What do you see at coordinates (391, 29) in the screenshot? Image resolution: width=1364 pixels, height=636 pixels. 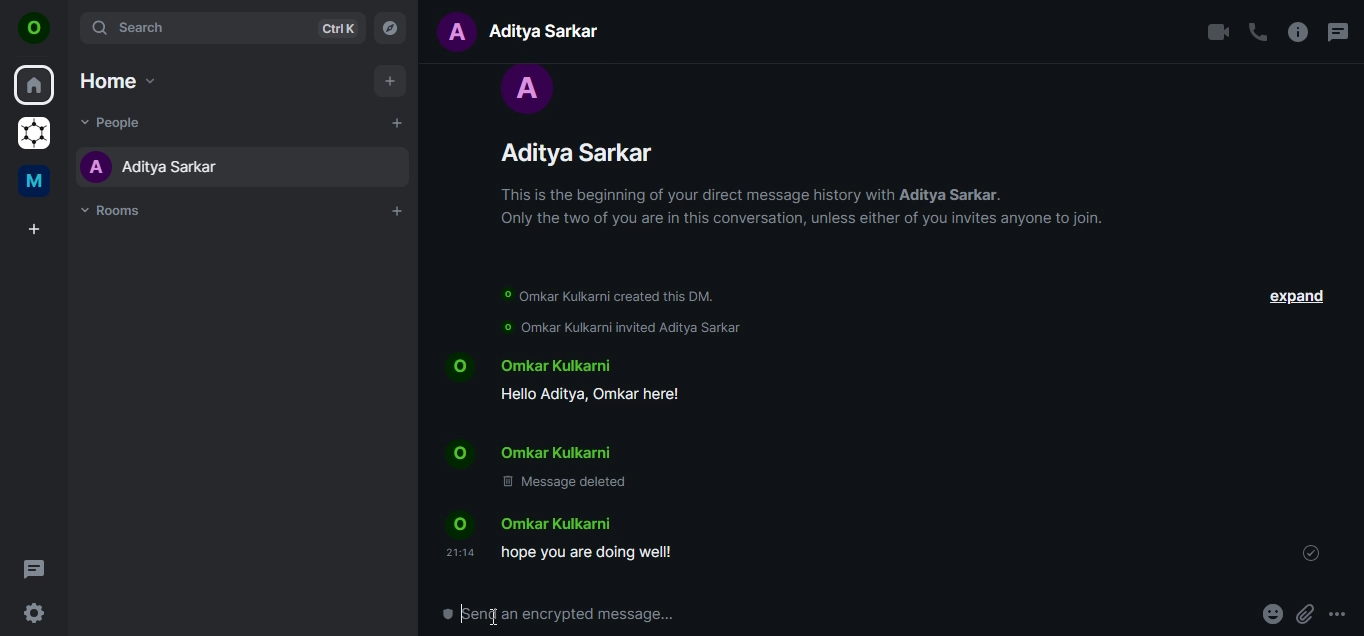 I see `explore rooms` at bounding box center [391, 29].